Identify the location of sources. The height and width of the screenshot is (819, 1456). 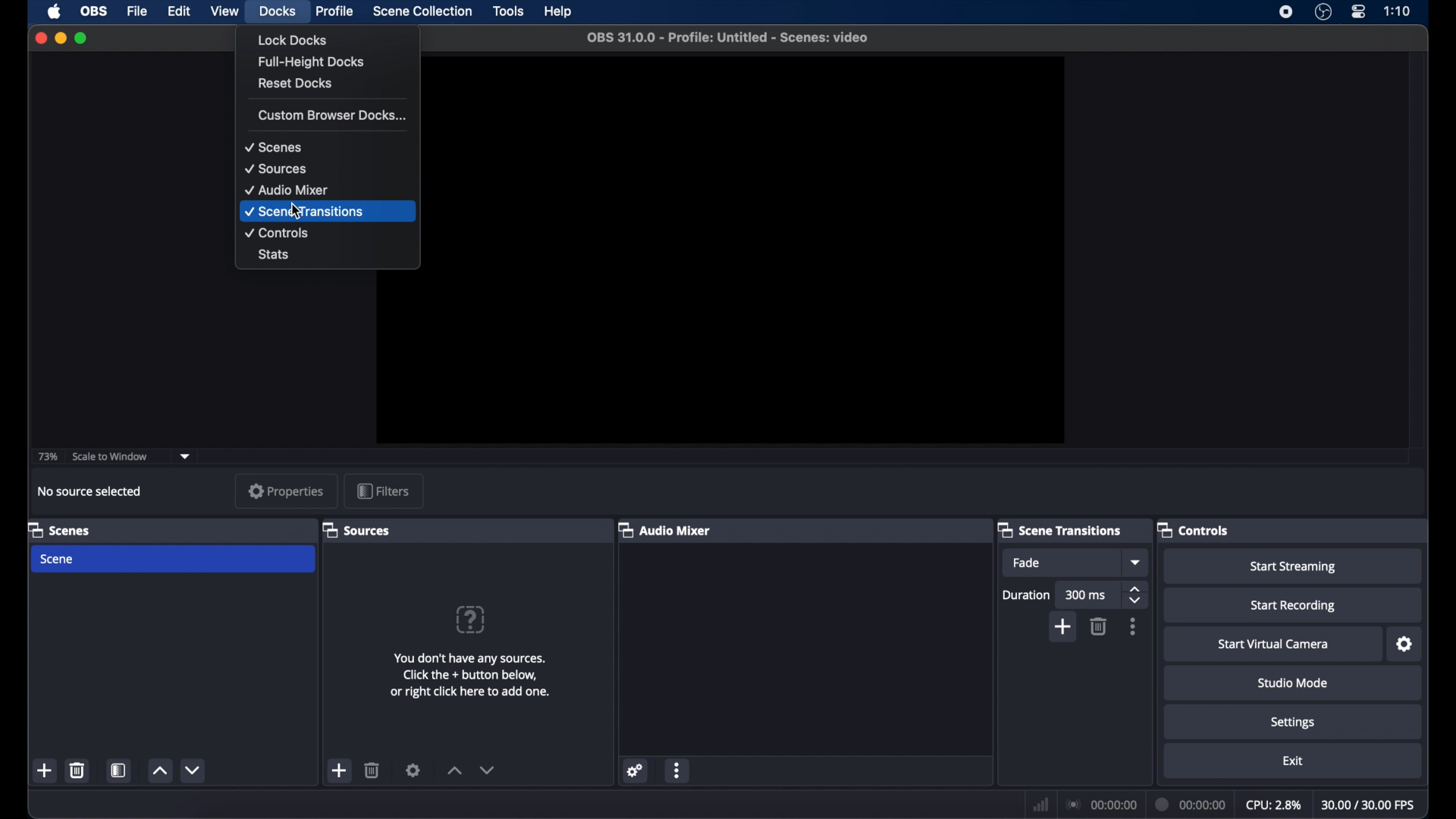
(358, 529).